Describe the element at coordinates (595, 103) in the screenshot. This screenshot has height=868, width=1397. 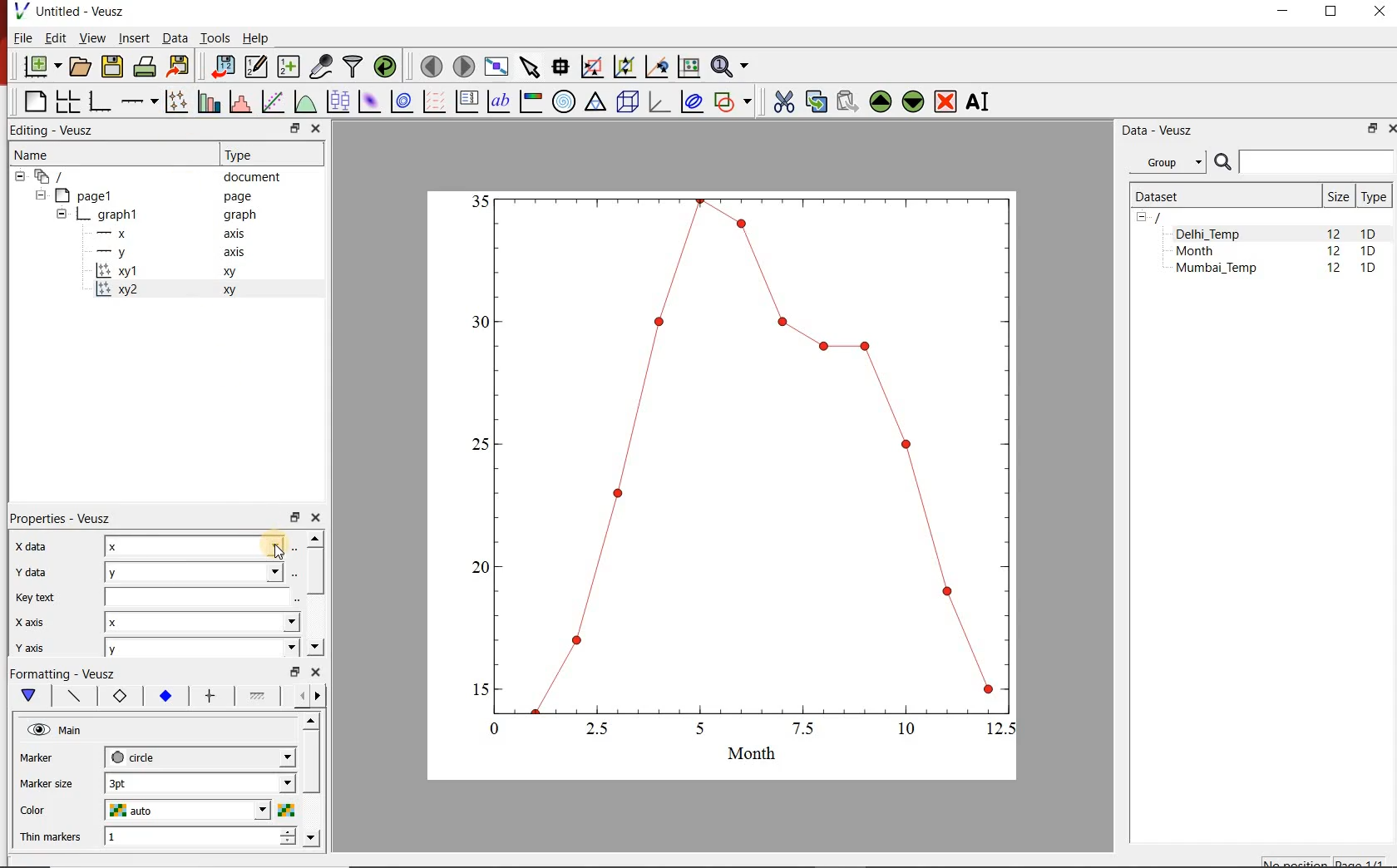
I see `Ternary graph` at that location.